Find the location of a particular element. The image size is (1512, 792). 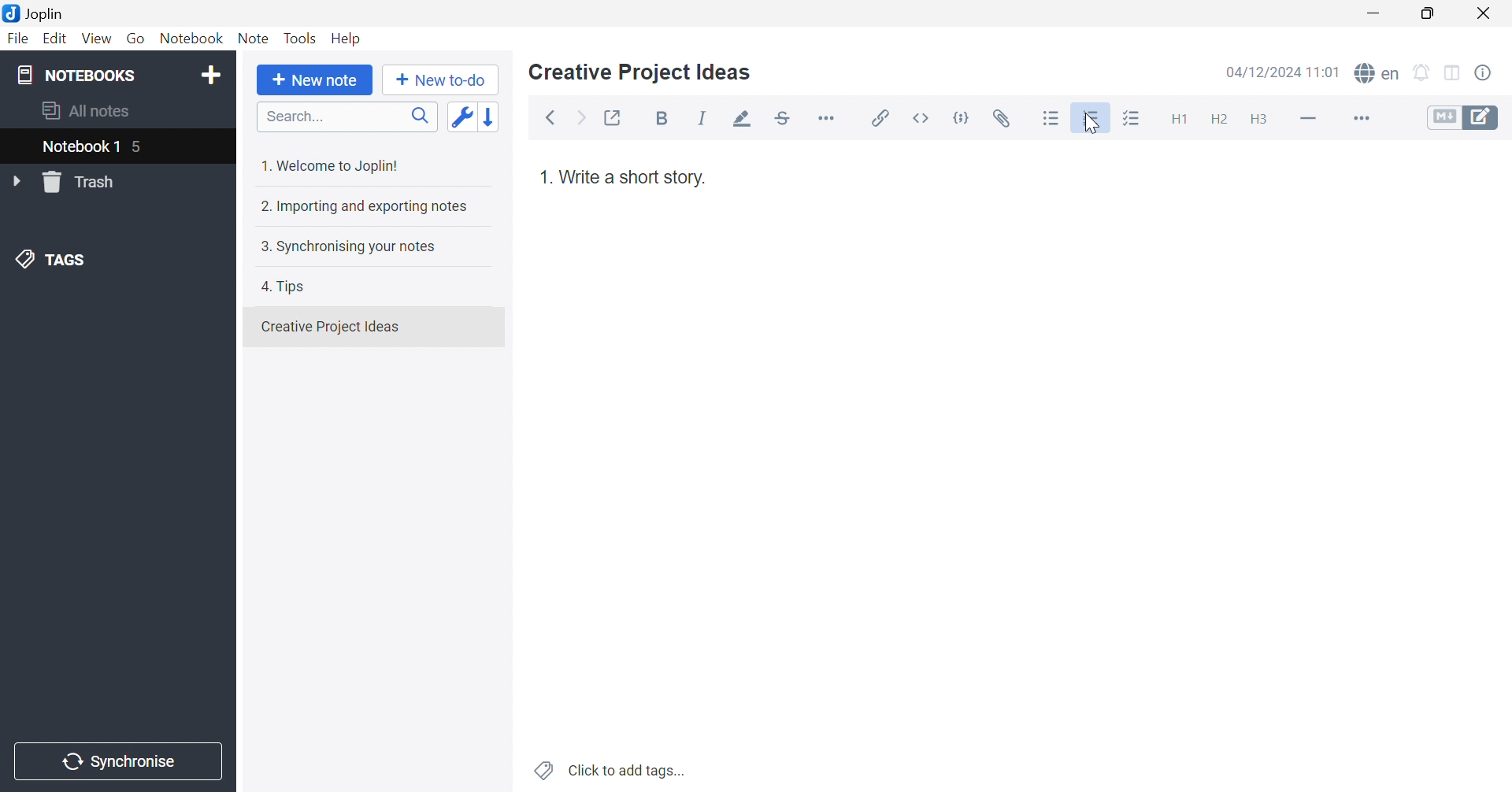

04/12/2024 is located at coordinates (1280, 72).